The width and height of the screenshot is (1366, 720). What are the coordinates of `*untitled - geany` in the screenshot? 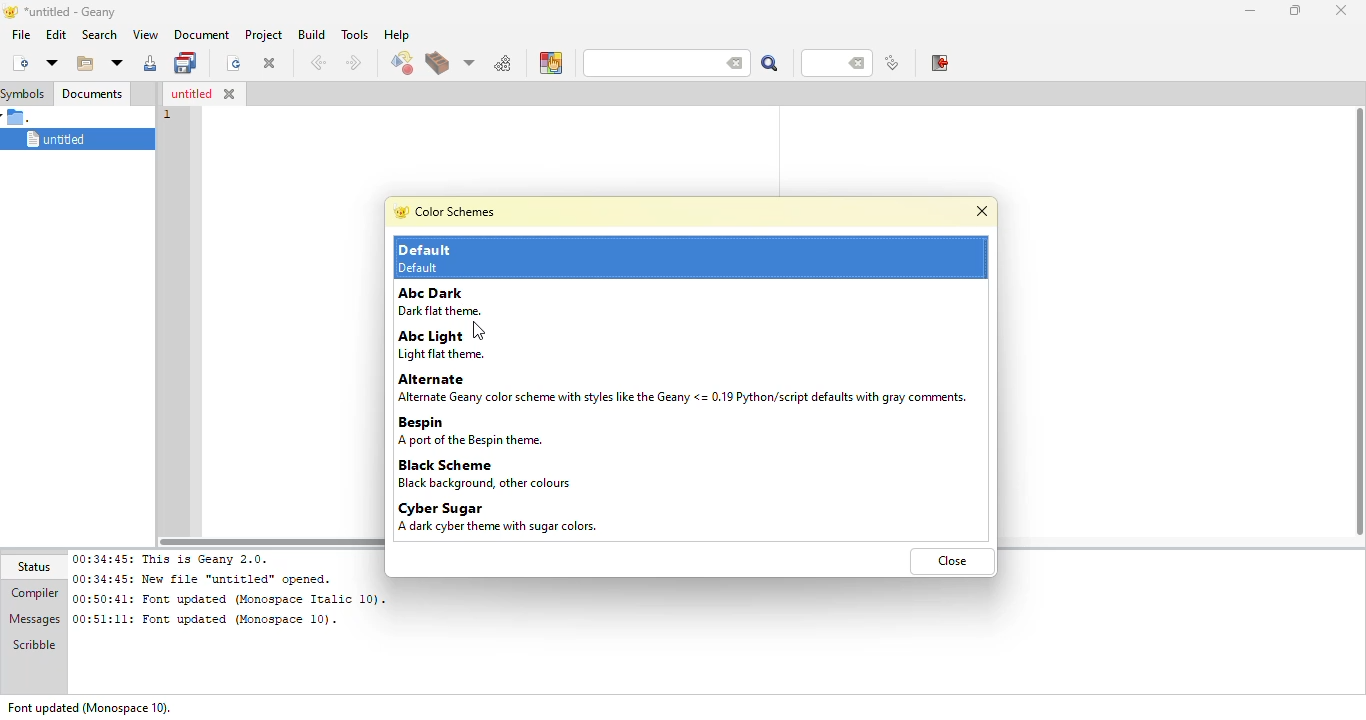 It's located at (80, 12).